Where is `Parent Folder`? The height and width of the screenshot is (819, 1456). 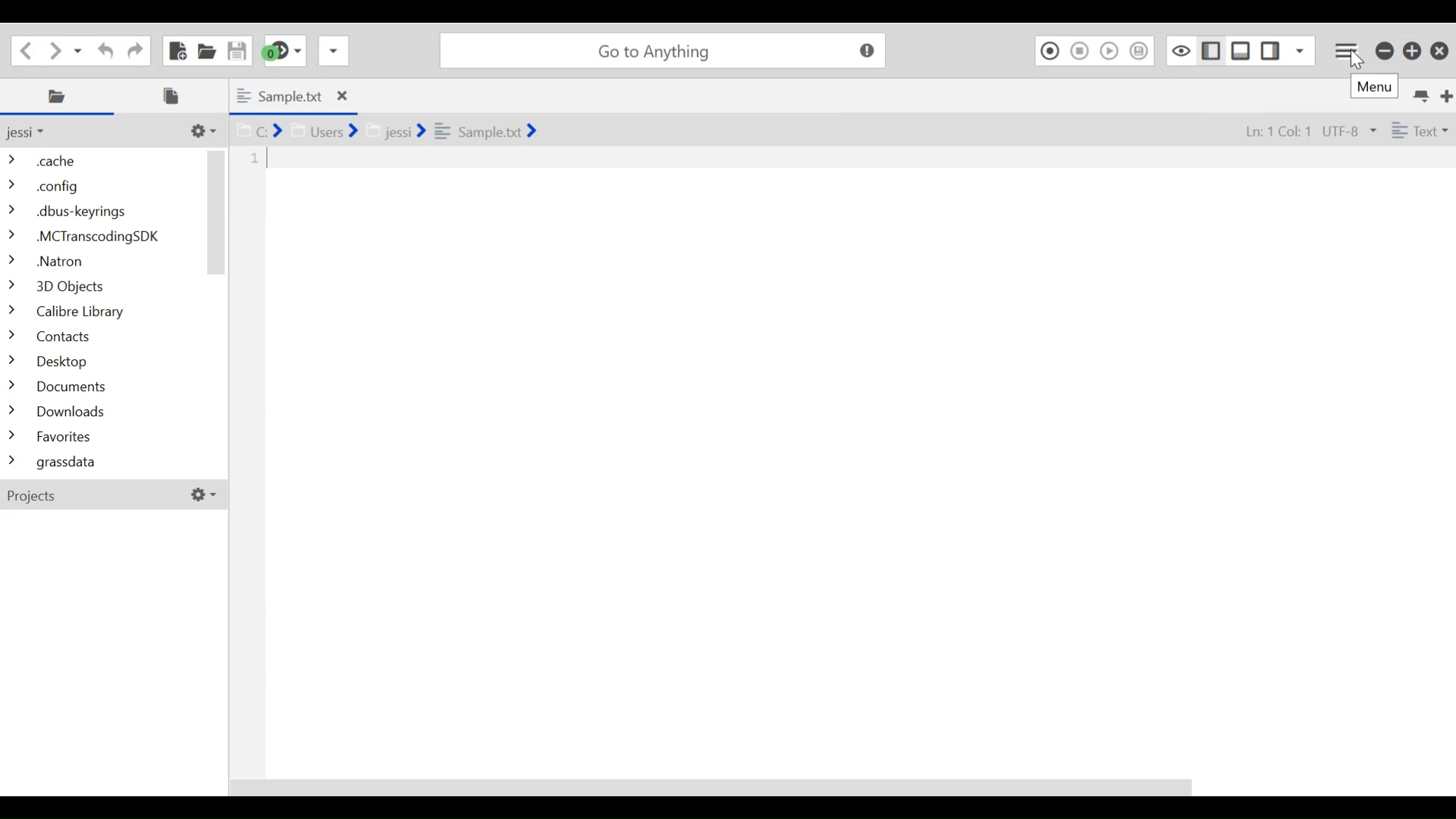 Parent Folder is located at coordinates (34, 132).